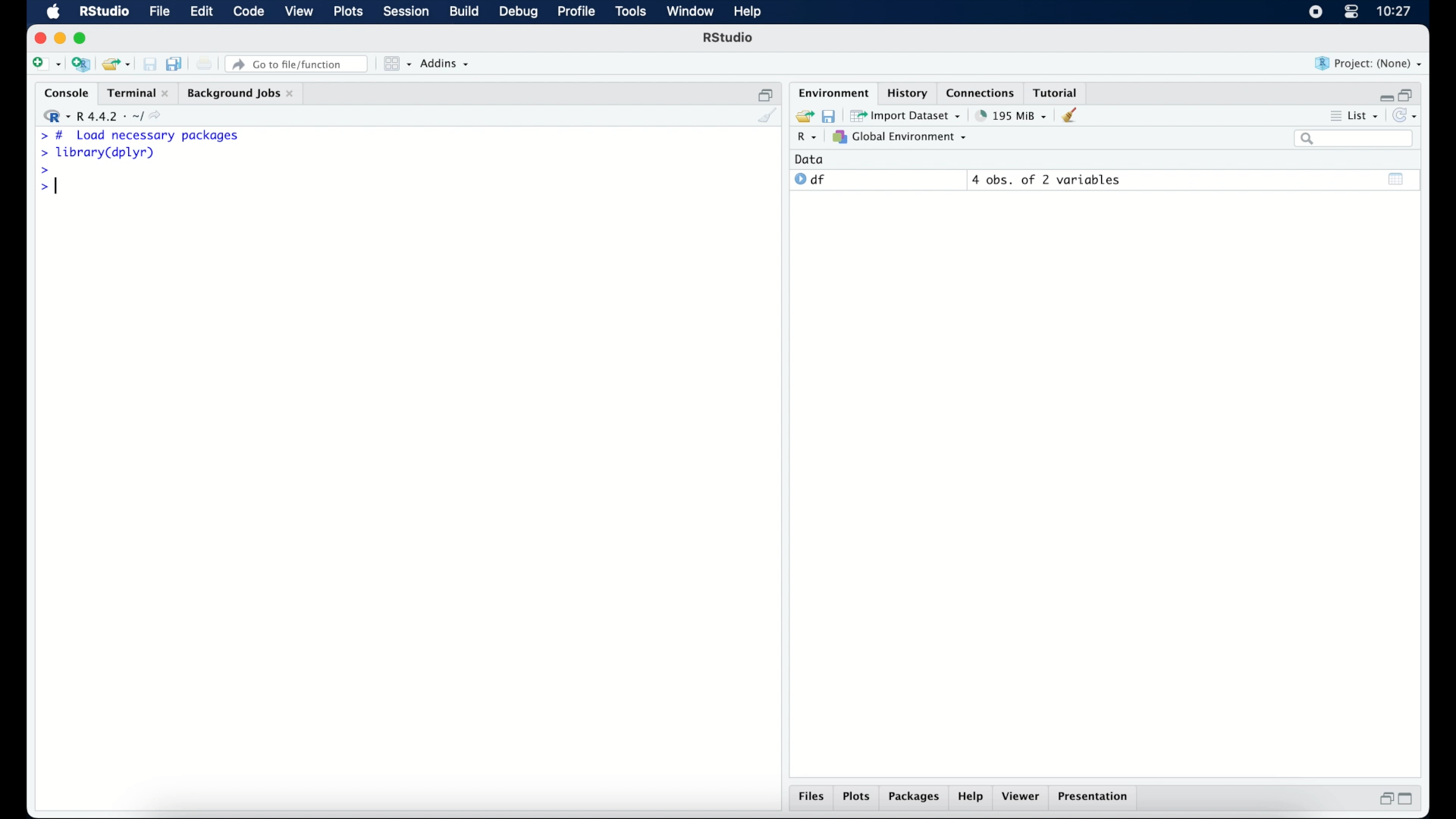 This screenshot has width=1456, height=819. I want to click on restore down, so click(1409, 93).